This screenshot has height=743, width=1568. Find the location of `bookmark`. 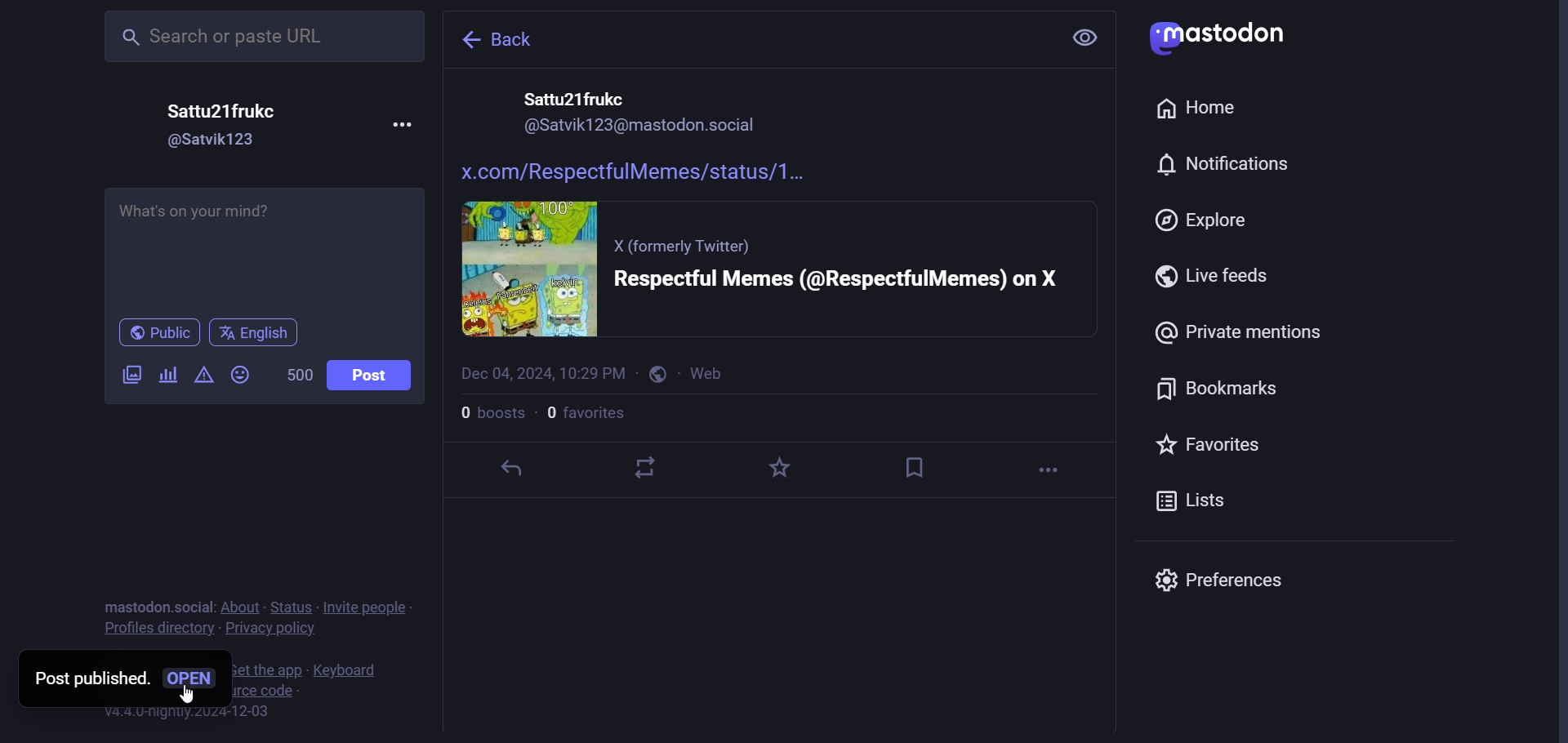

bookmark is located at coordinates (908, 467).